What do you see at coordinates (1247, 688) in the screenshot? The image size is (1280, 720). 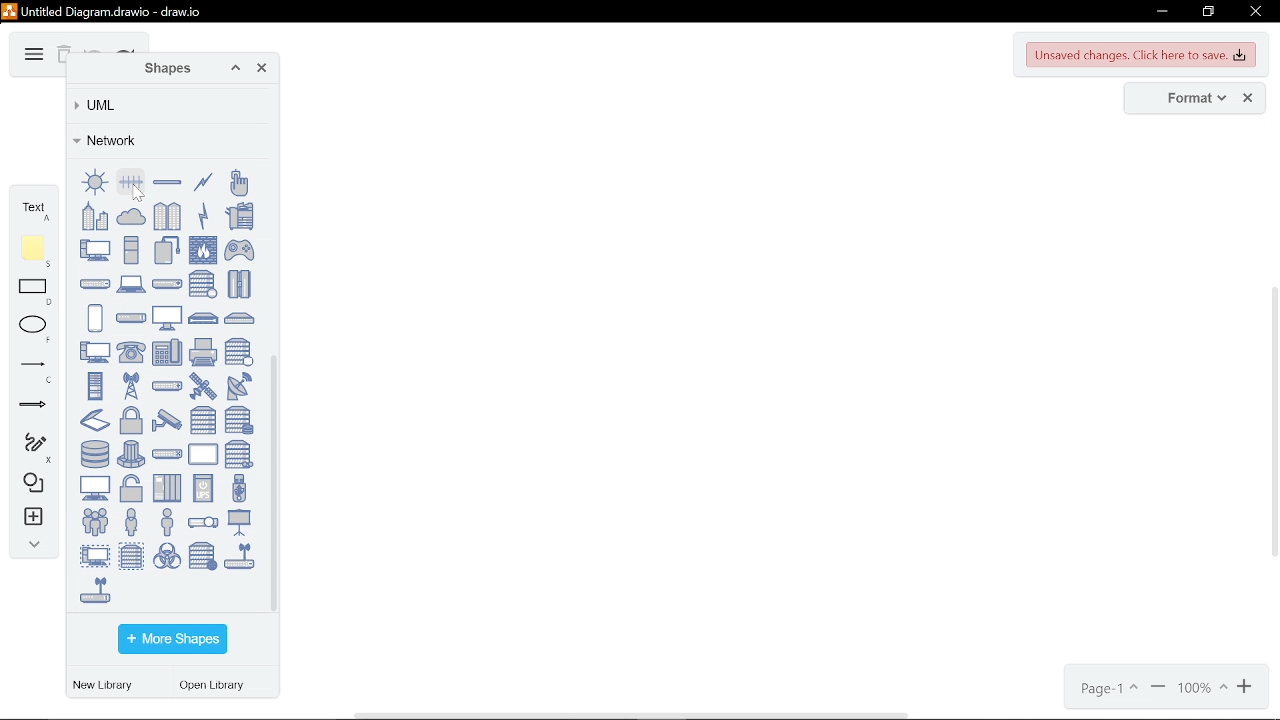 I see `zoom in` at bounding box center [1247, 688].